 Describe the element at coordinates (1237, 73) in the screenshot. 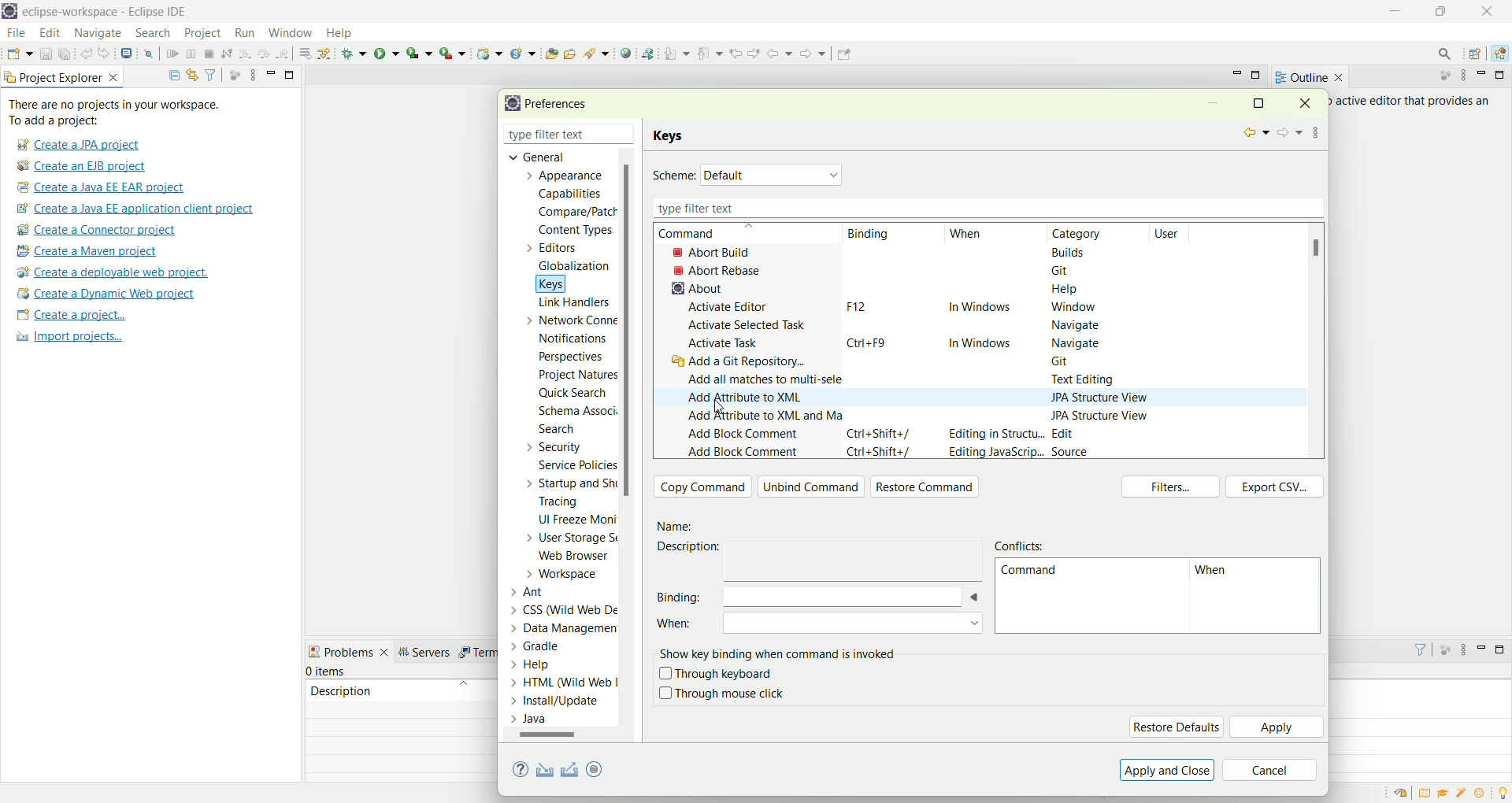

I see `minimize` at that location.